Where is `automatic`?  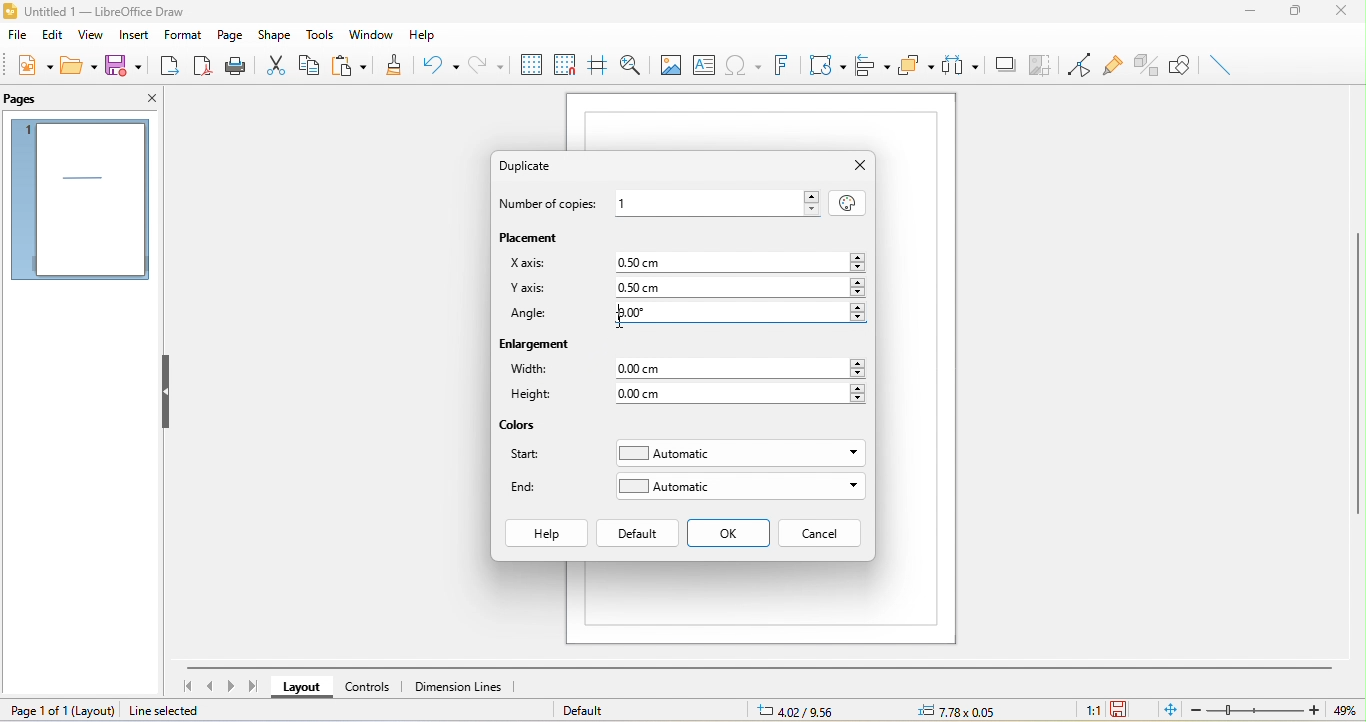
automatic is located at coordinates (738, 454).